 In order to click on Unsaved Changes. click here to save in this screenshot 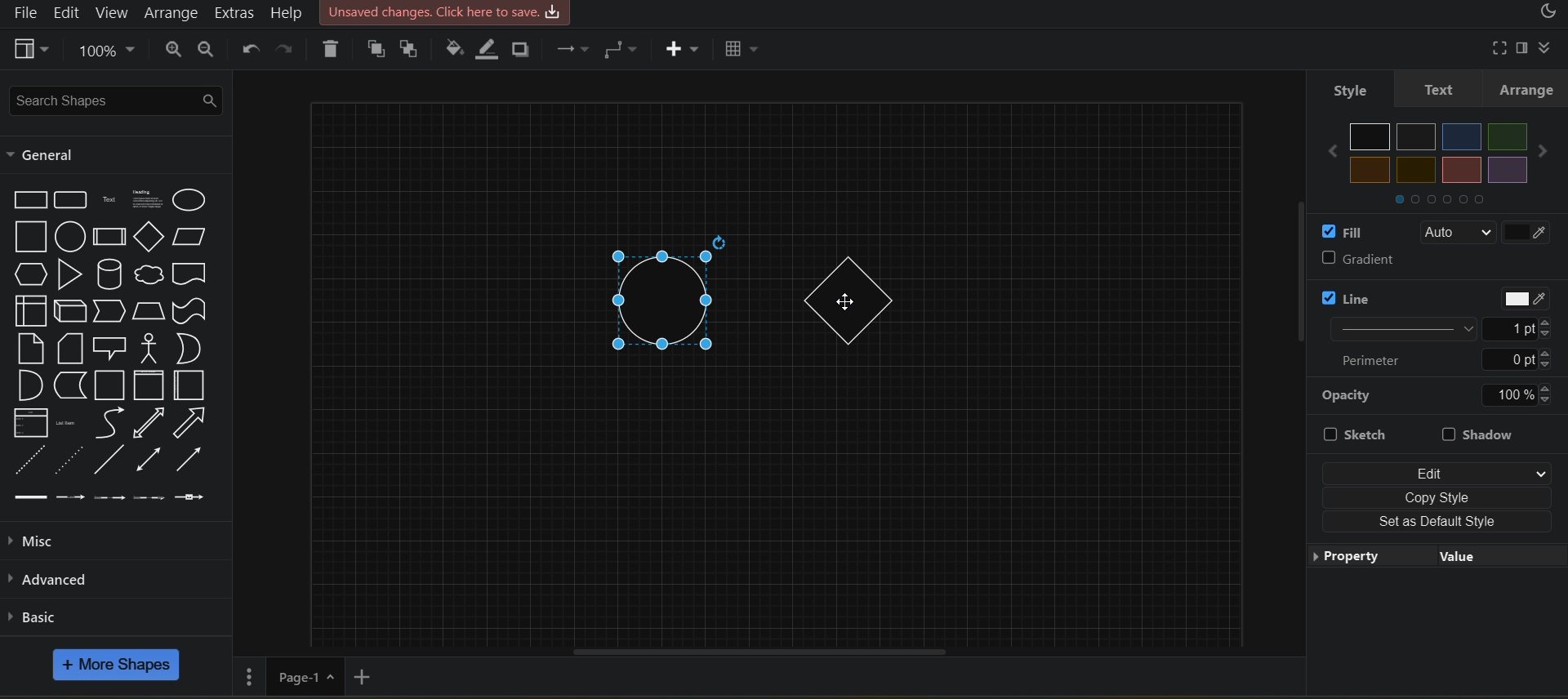, I will do `click(446, 13)`.